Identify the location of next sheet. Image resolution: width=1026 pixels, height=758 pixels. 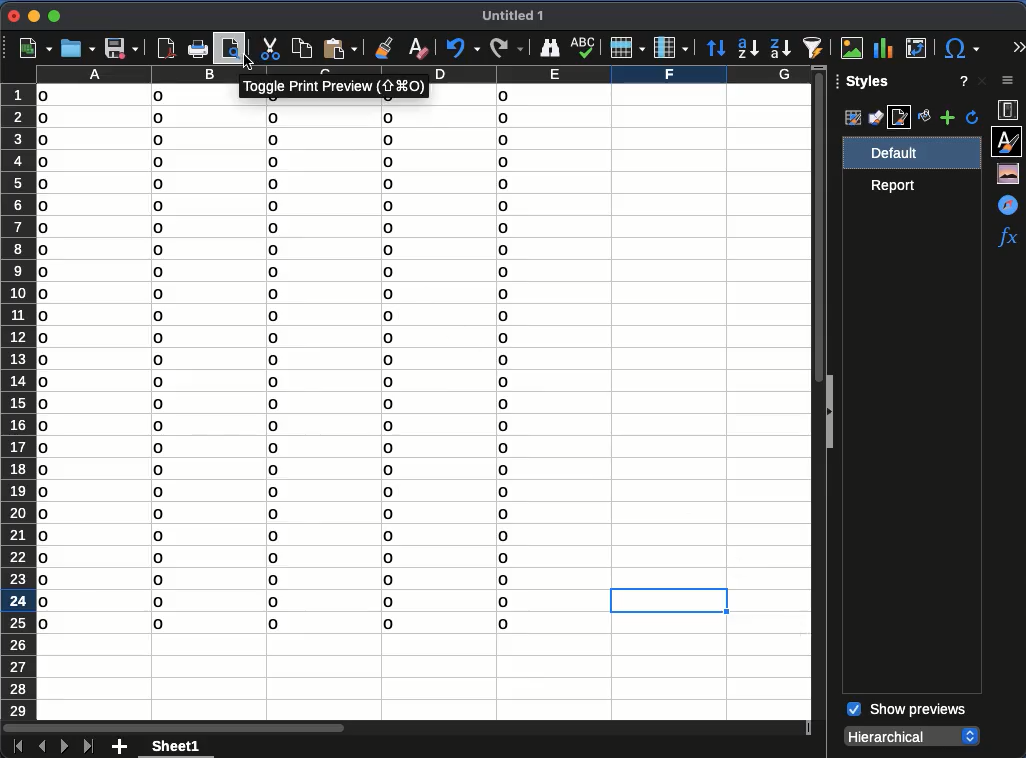
(62, 747).